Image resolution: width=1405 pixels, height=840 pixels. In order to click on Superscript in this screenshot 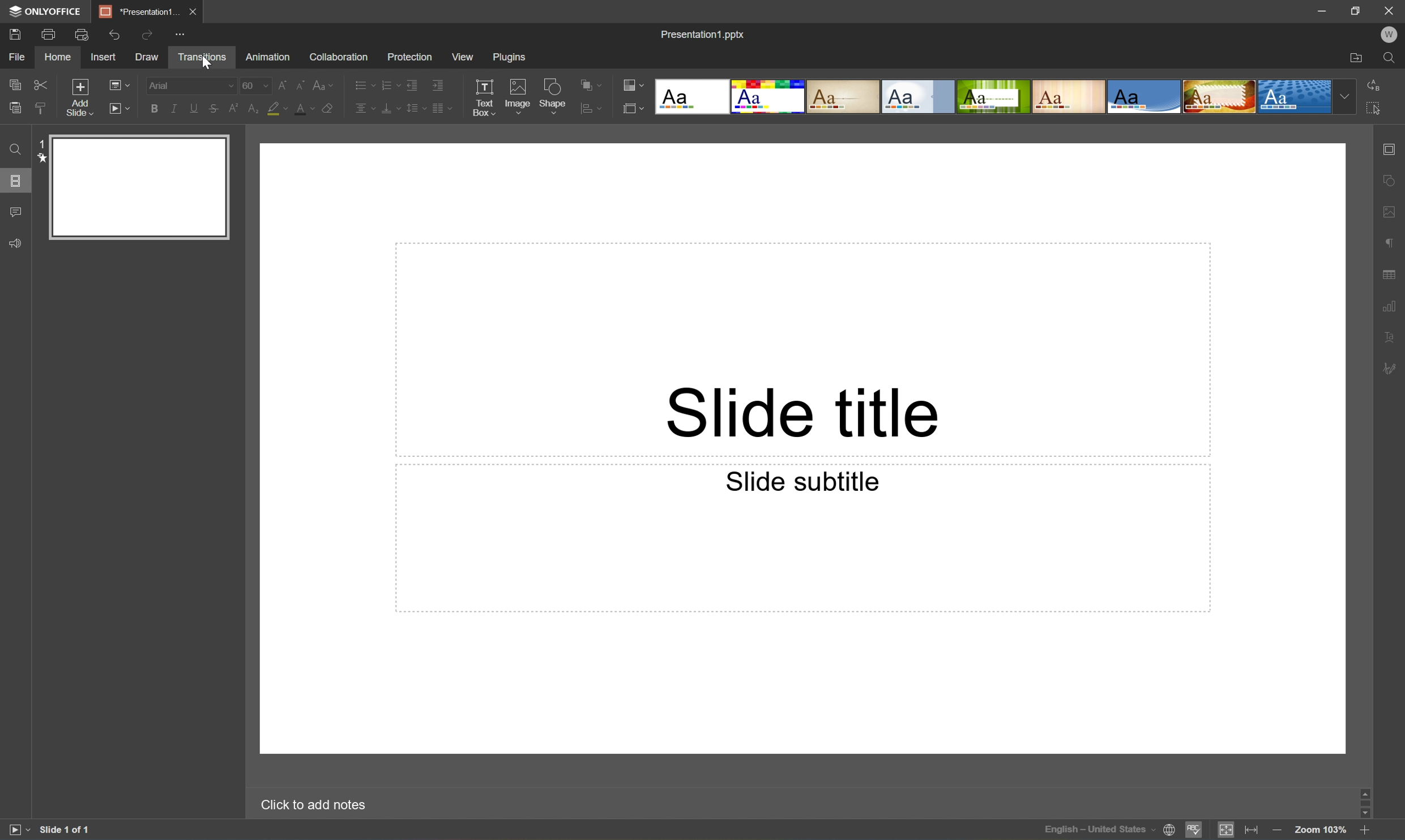, I will do `click(233, 108)`.